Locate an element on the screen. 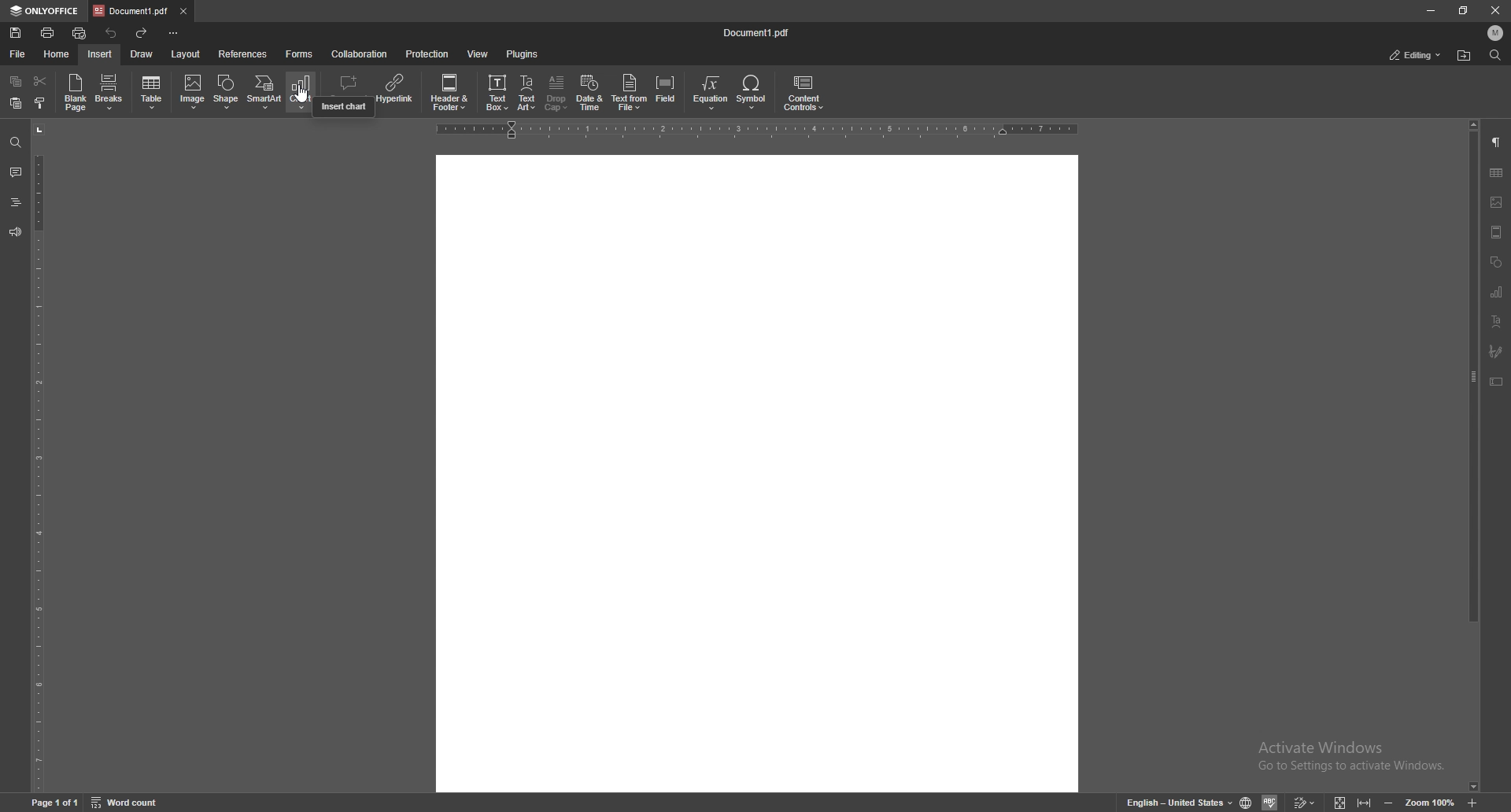  undo is located at coordinates (112, 34).